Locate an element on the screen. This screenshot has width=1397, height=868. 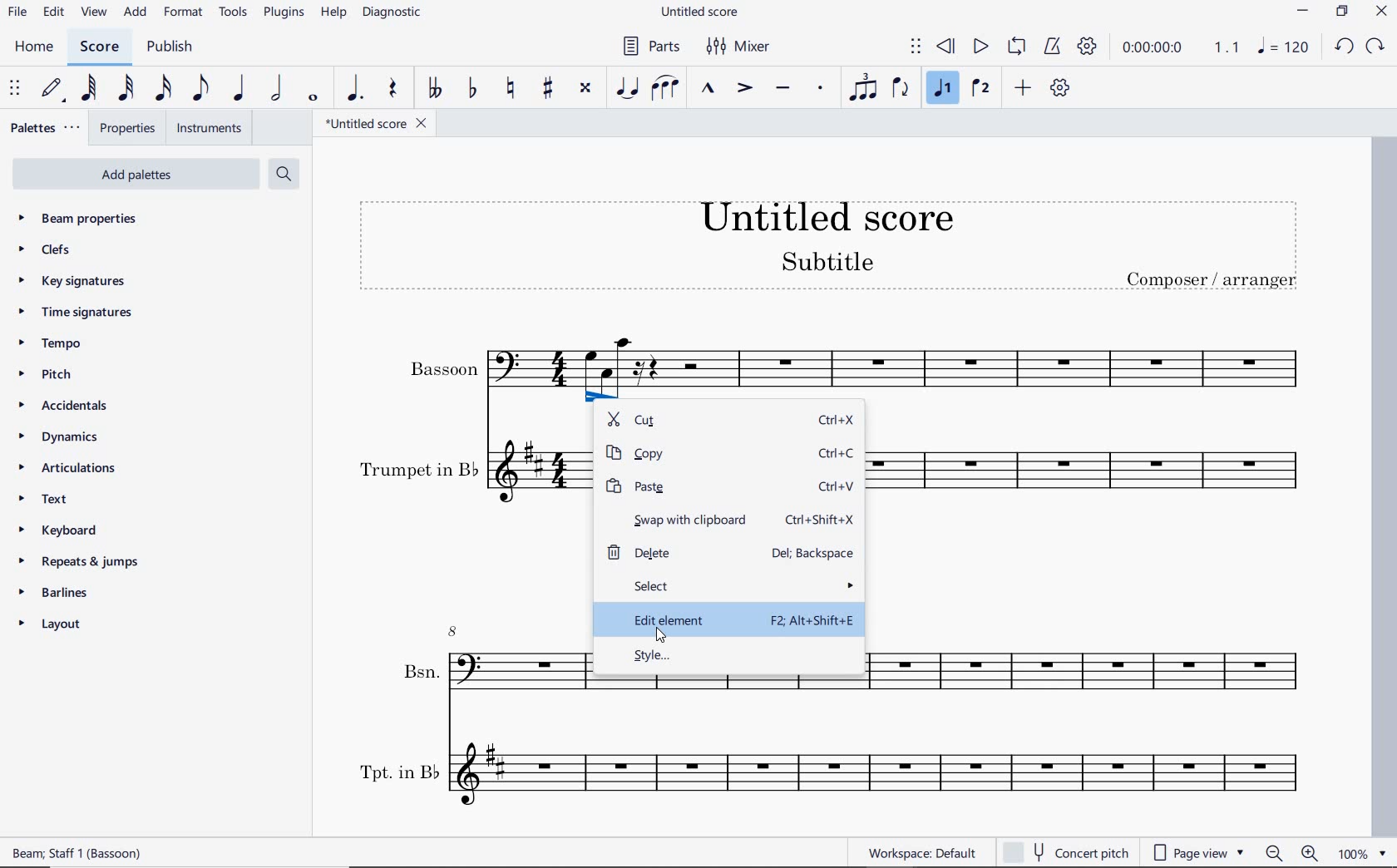
half note is located at coordinates (278, 90).